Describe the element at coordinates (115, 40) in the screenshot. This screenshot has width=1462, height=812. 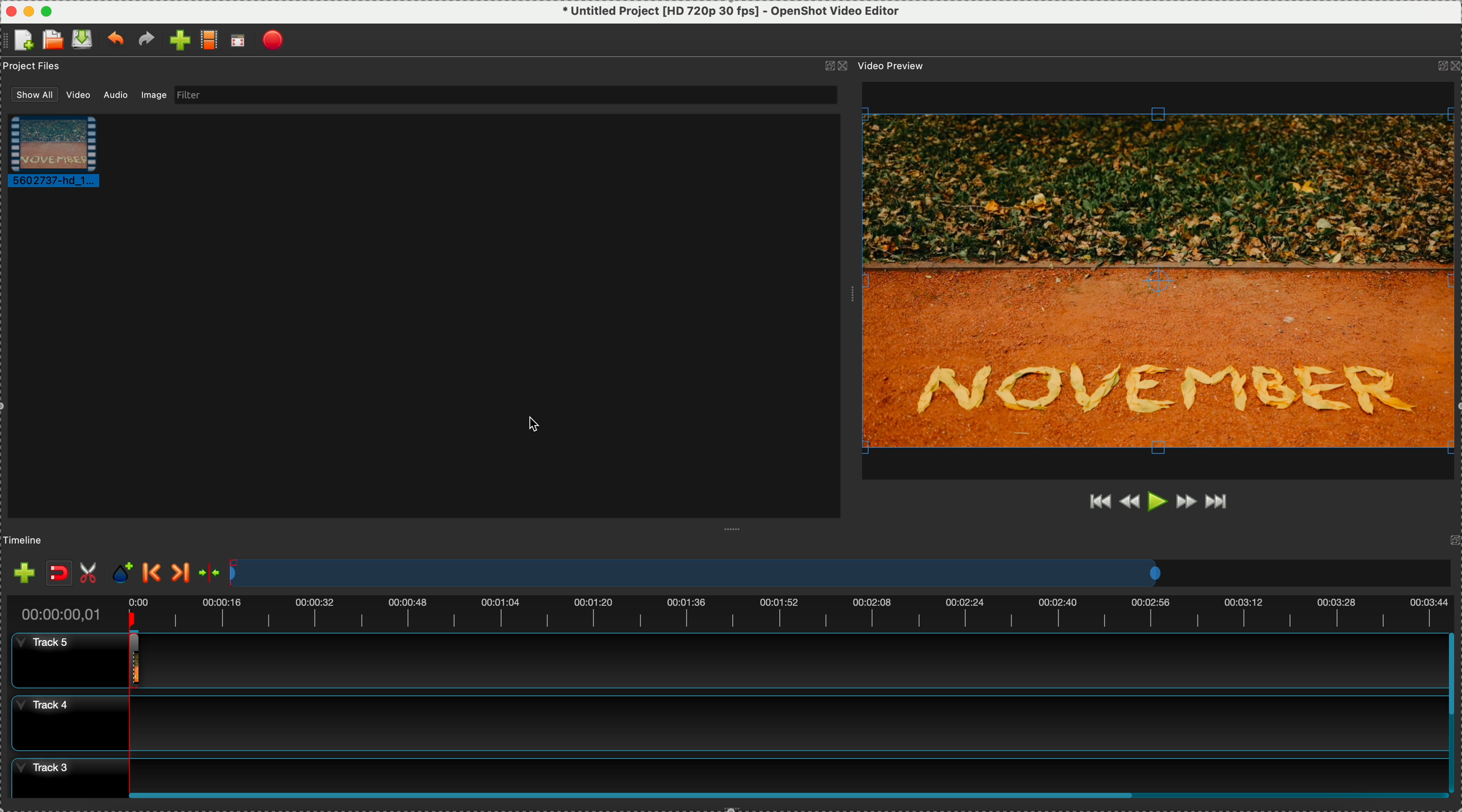
I see `undo` at that location.